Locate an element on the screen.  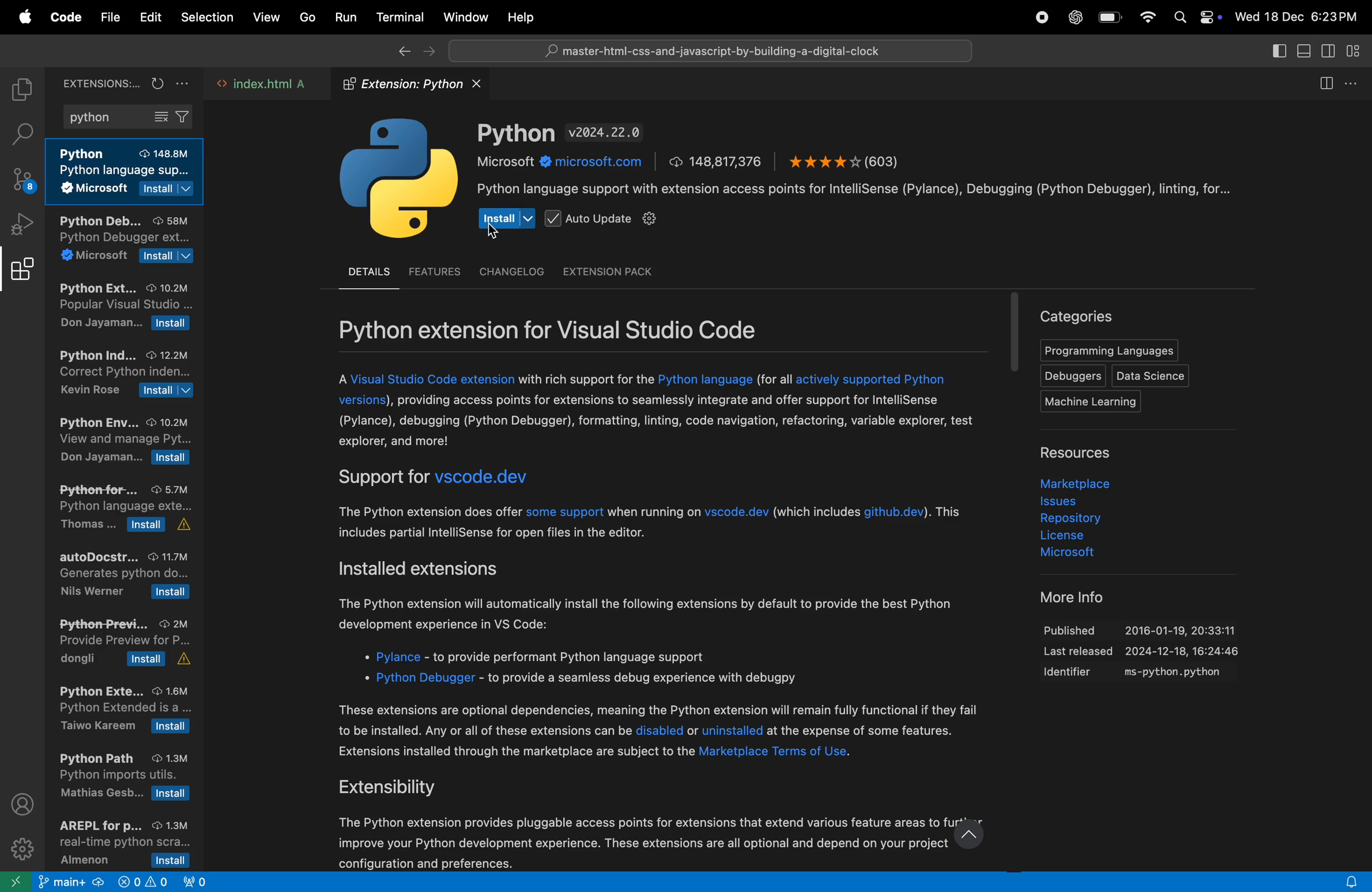
issues is located at coordinates (1072, 501).